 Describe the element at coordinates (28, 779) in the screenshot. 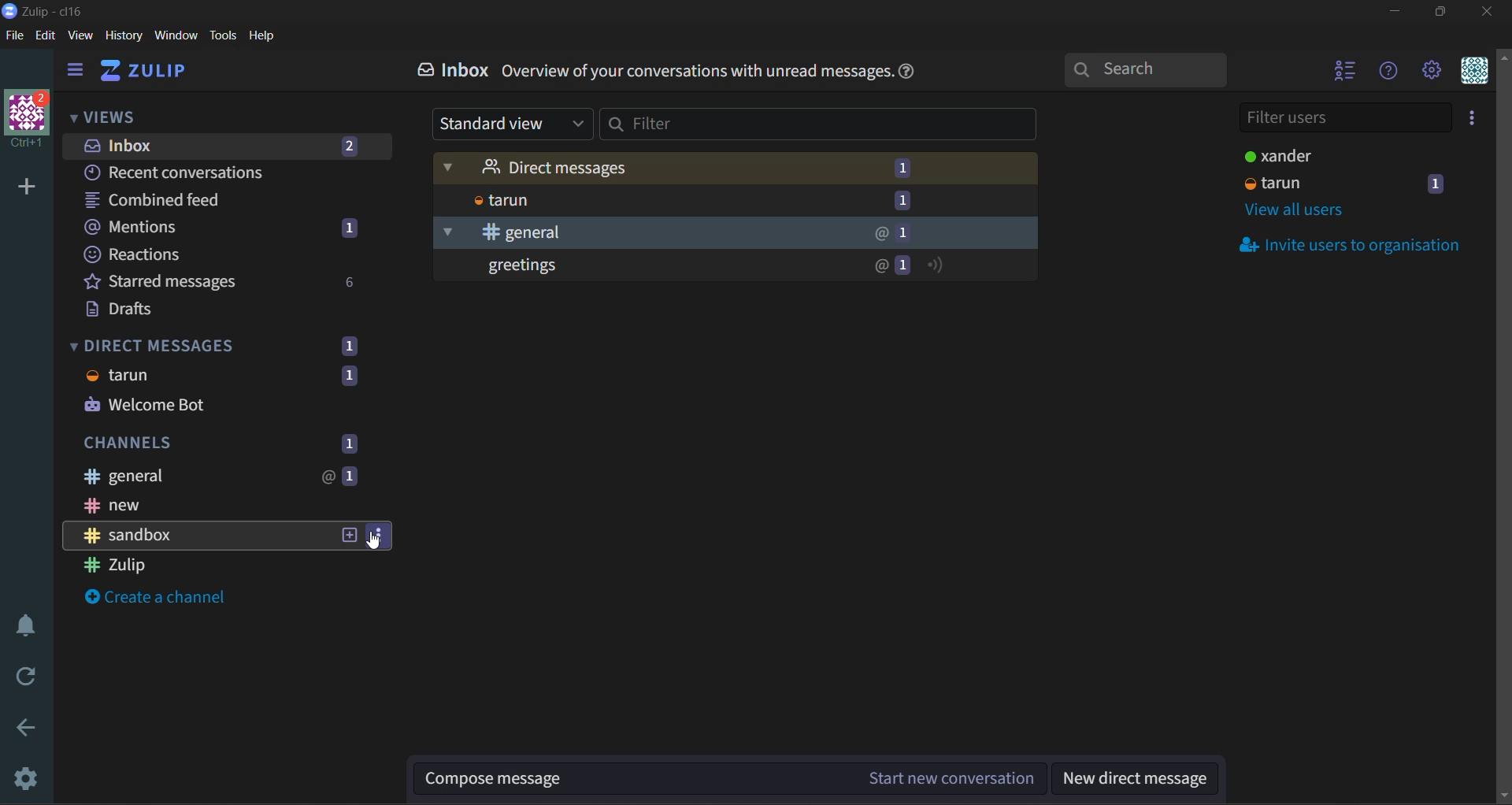

I see `settings` at that location.